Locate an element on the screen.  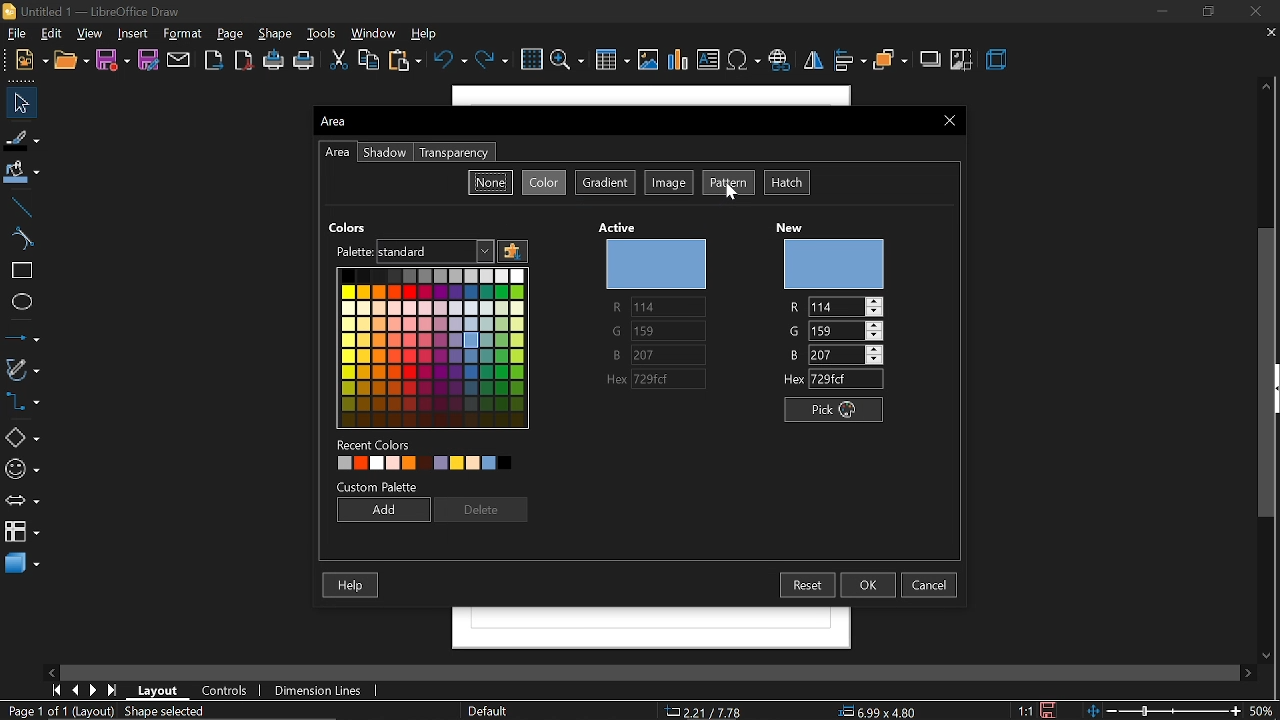
logo is located at coordinates (8, 10).